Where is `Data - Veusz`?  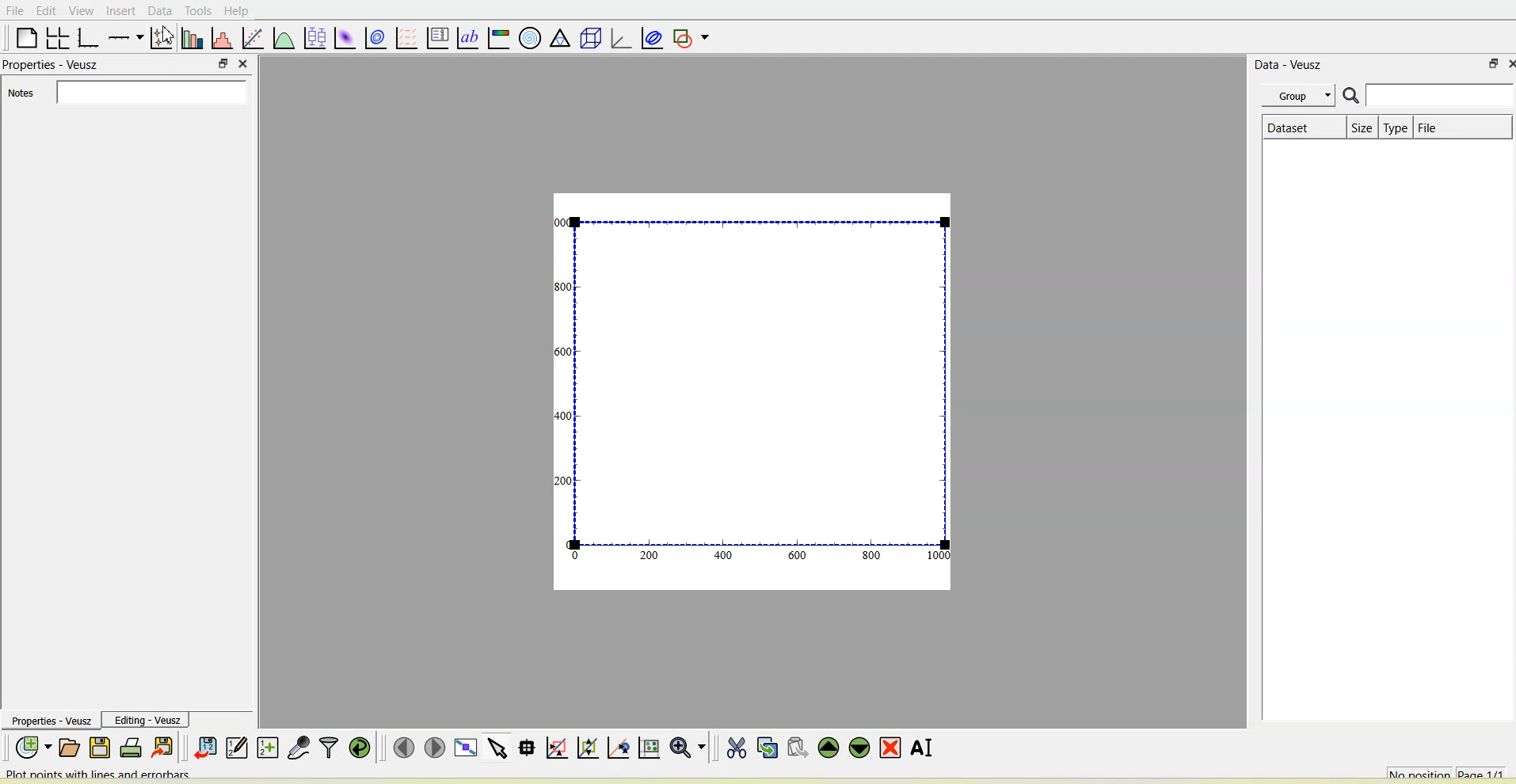 Data - Veusz is located at coordinates (1289, 63).